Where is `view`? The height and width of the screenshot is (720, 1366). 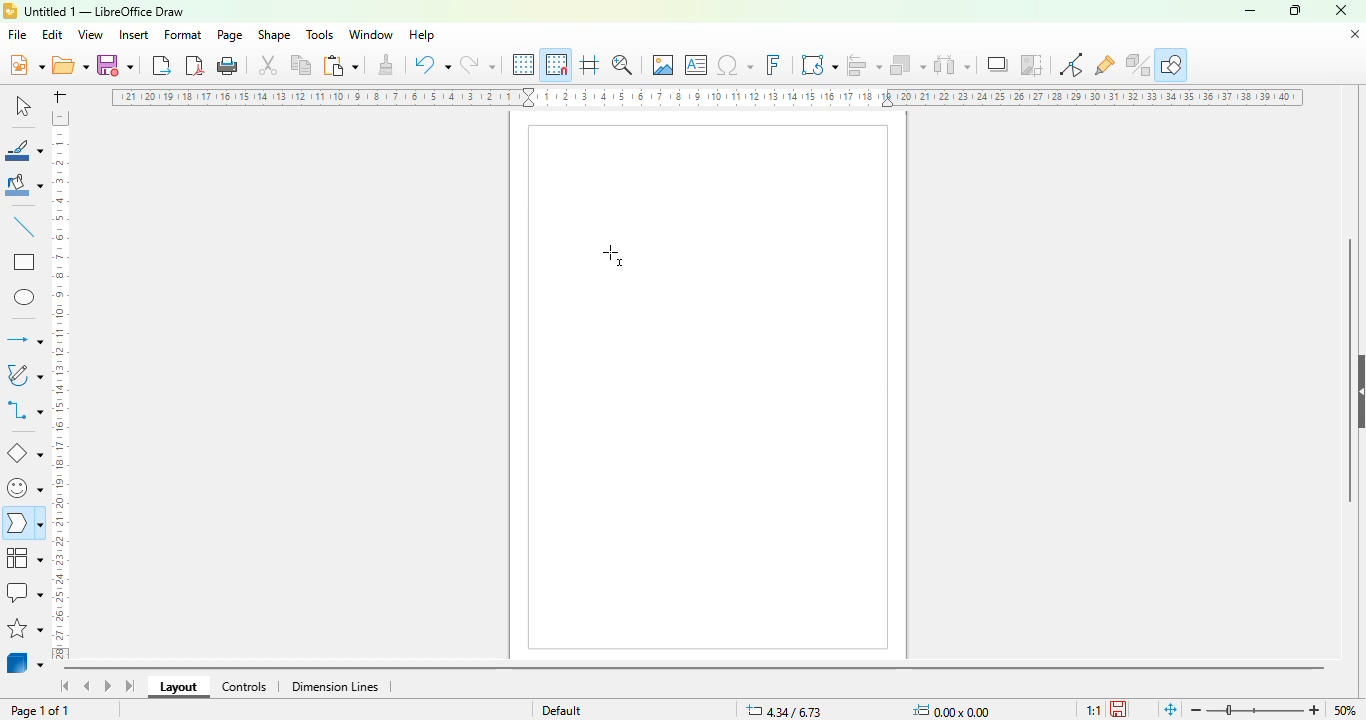 view is located at coordinates (90, 35).